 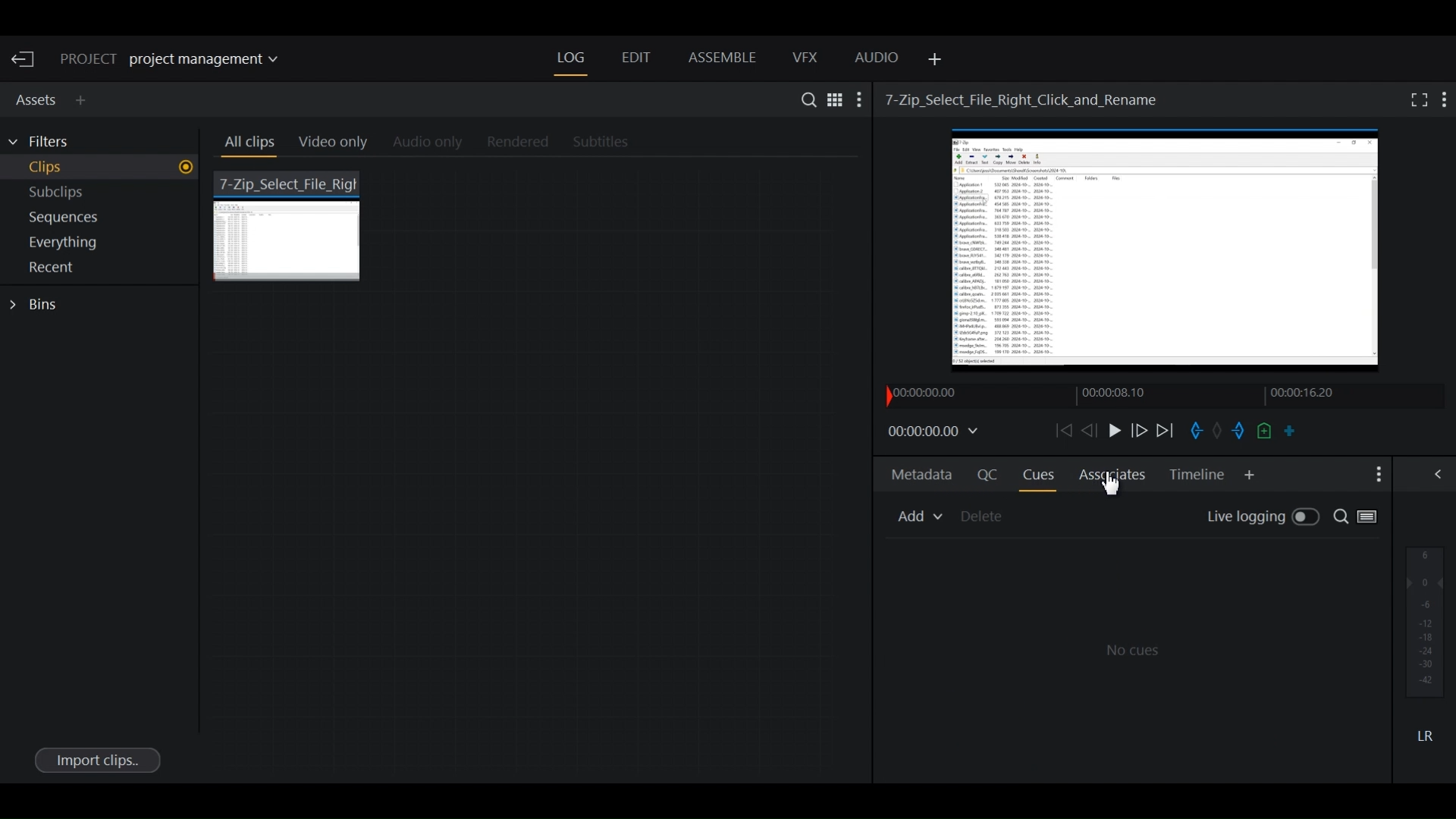 I want to click on Quality Control, so click(x=984, y=474).